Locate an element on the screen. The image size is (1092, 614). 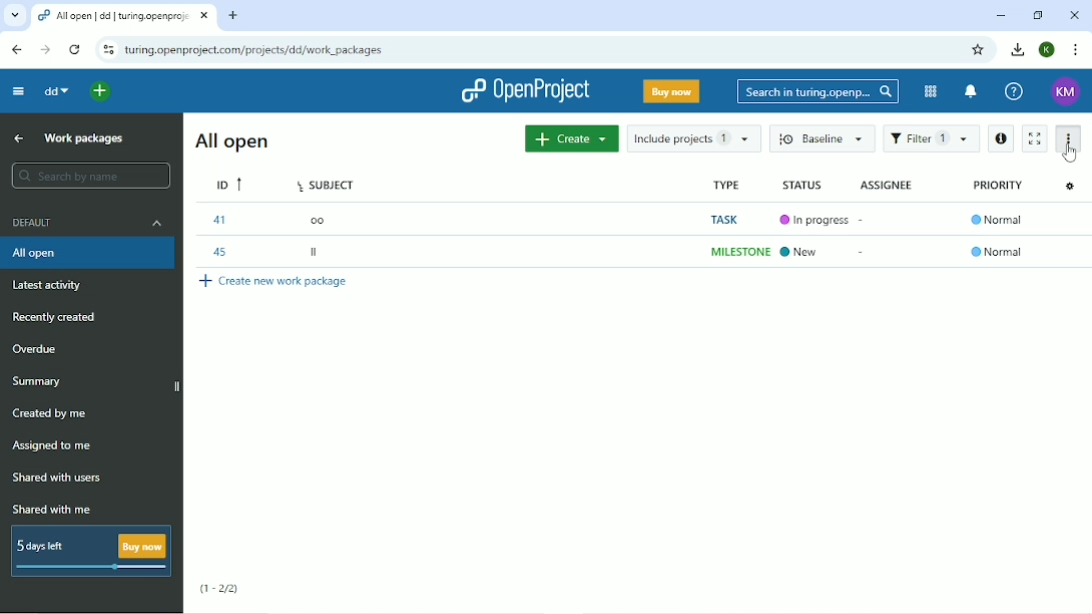
More actions is located at coordinates (1067, 145).